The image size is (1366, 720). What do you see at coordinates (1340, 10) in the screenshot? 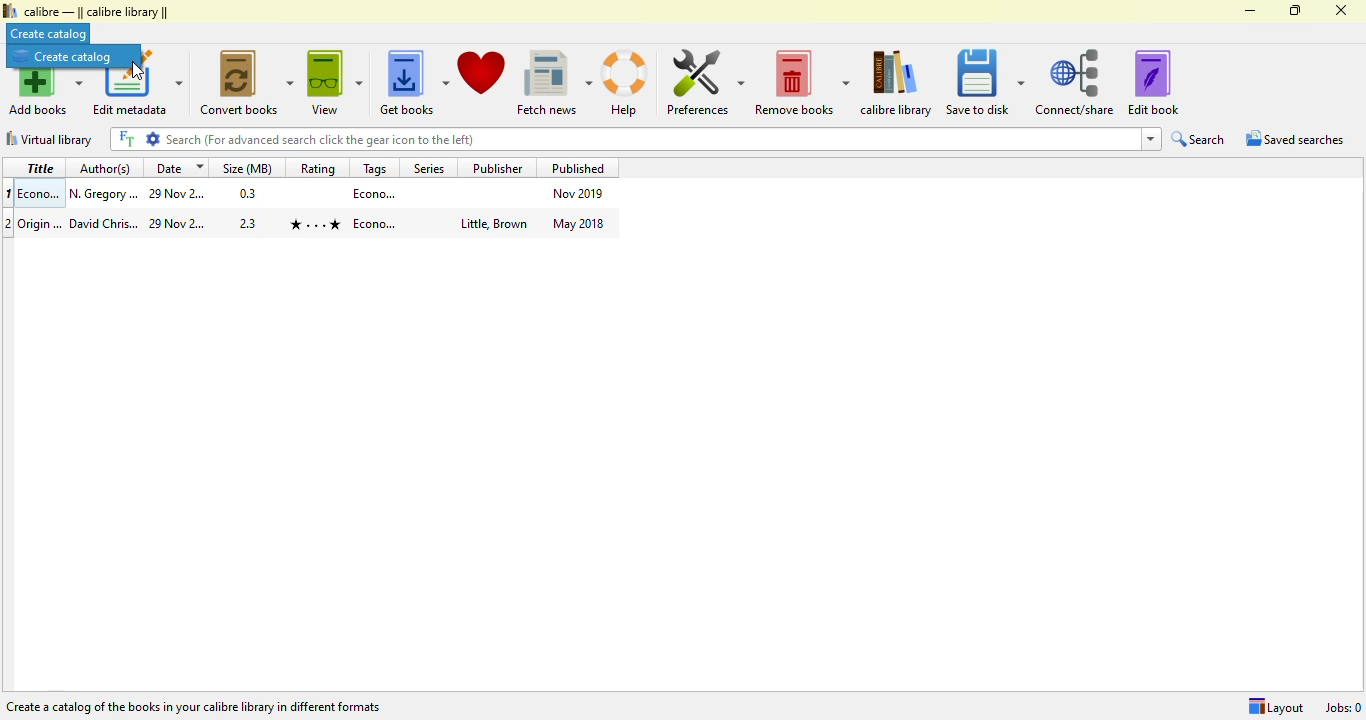
I see `close` at bounding box center [1340, 10].